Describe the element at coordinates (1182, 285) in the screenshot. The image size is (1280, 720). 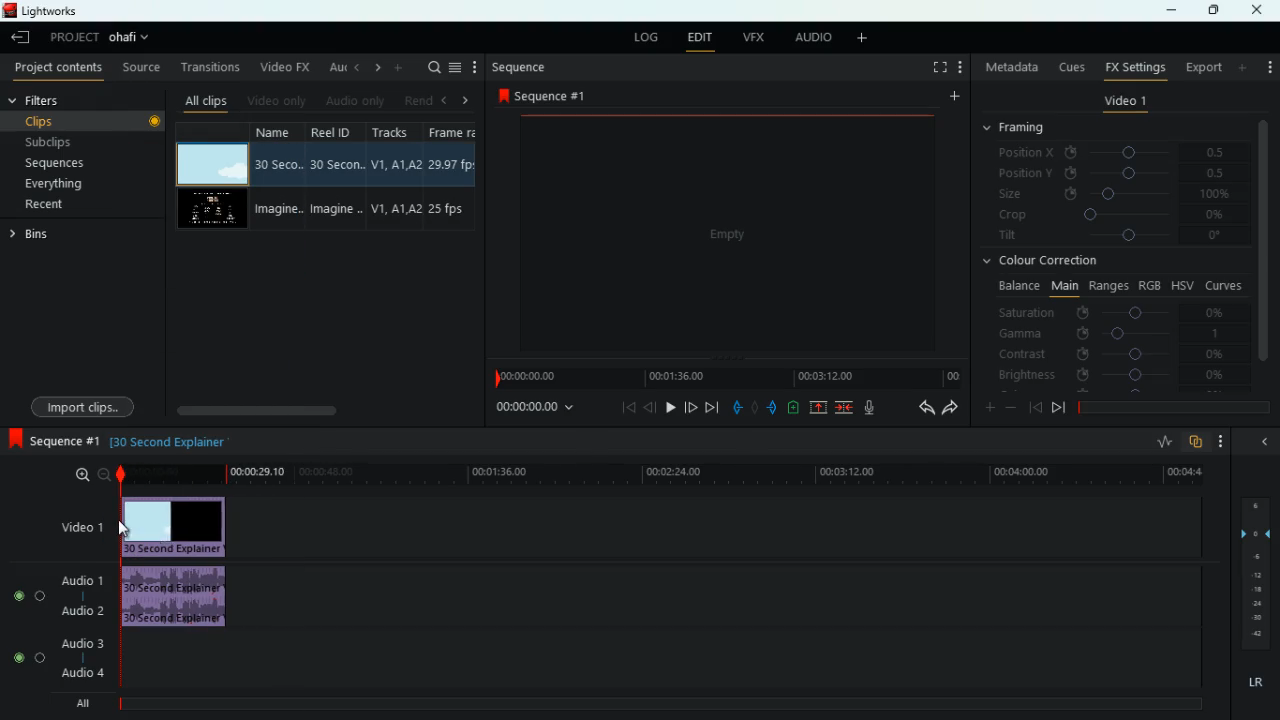
I see `hsv` at that location.